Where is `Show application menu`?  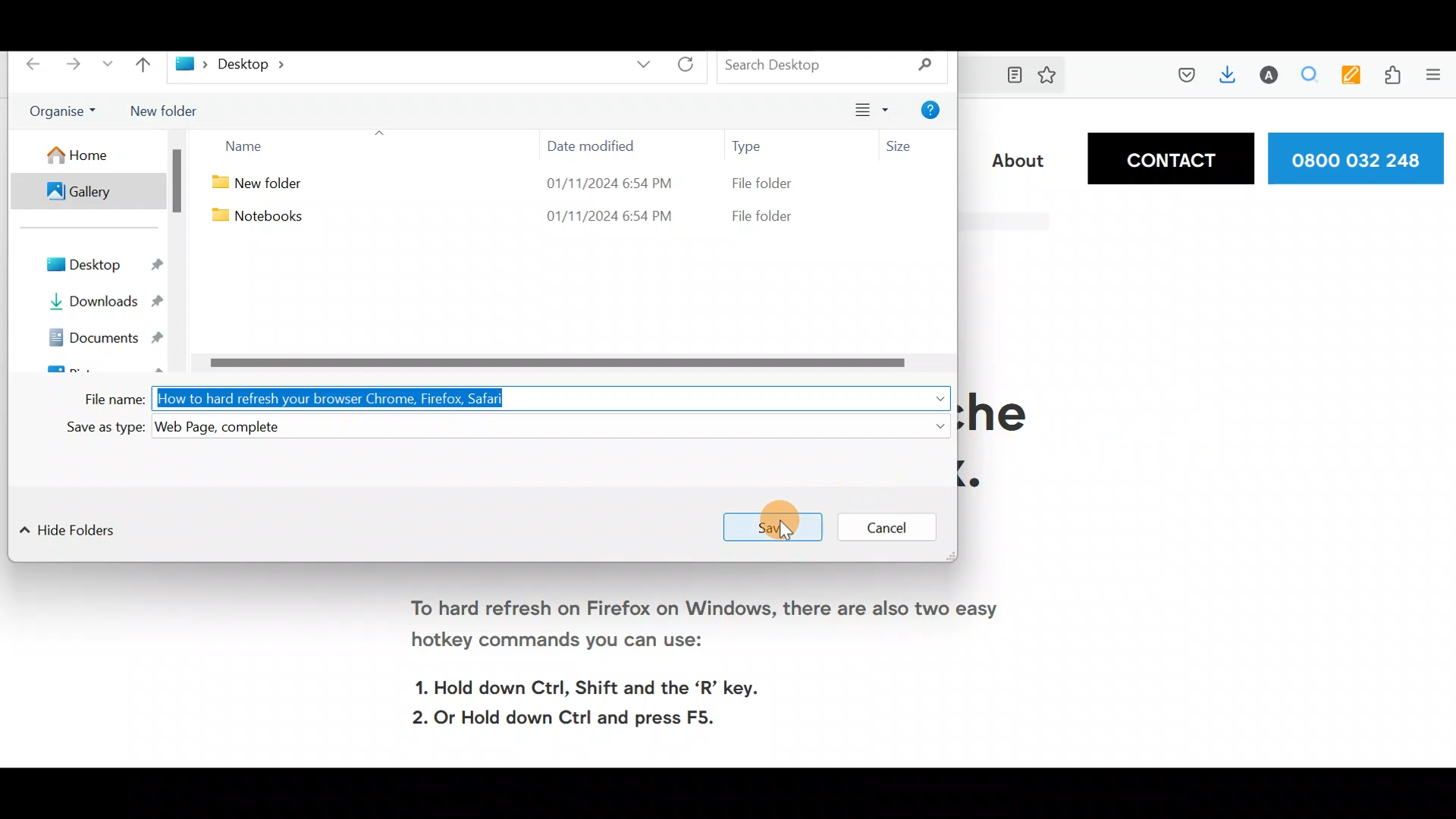 Show application menu is located at coordinates (1439, 78).